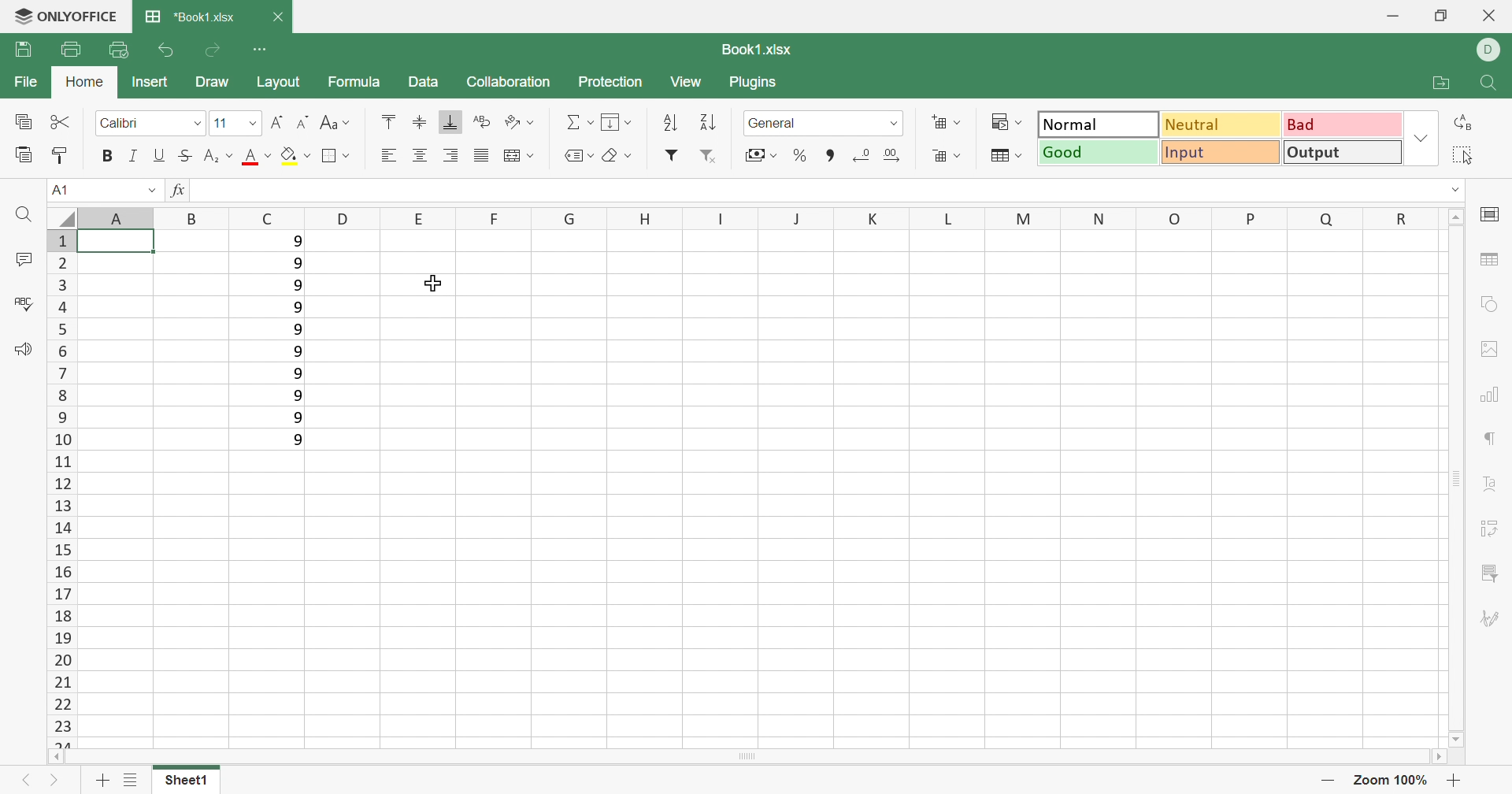  What do you see at coordinates (1330, 779) in the screenshot?
I see `Zoom out` at bounding box center [1330, 779].